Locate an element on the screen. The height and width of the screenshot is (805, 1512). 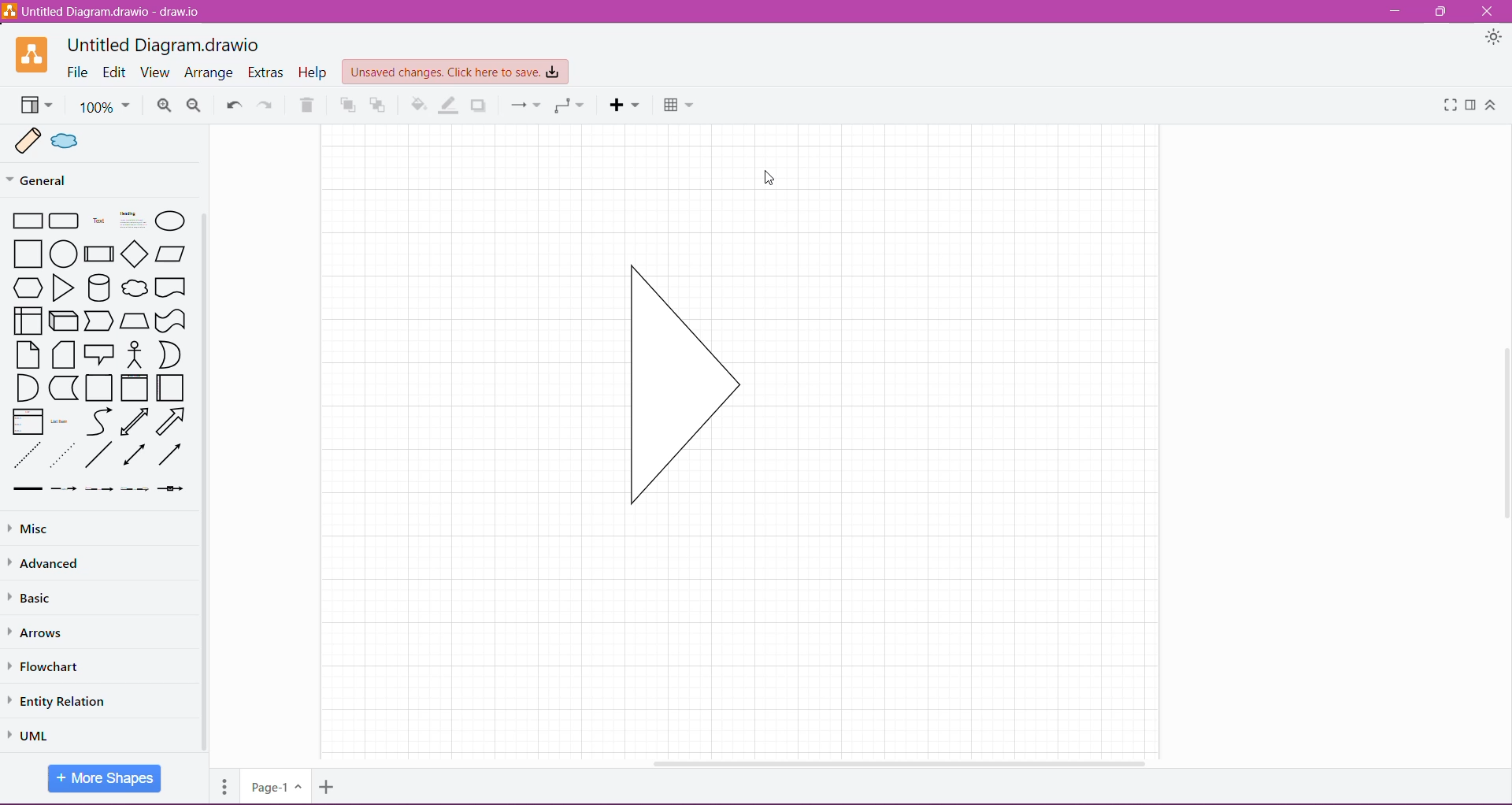
Connectors is located at coordinates (525, 105).